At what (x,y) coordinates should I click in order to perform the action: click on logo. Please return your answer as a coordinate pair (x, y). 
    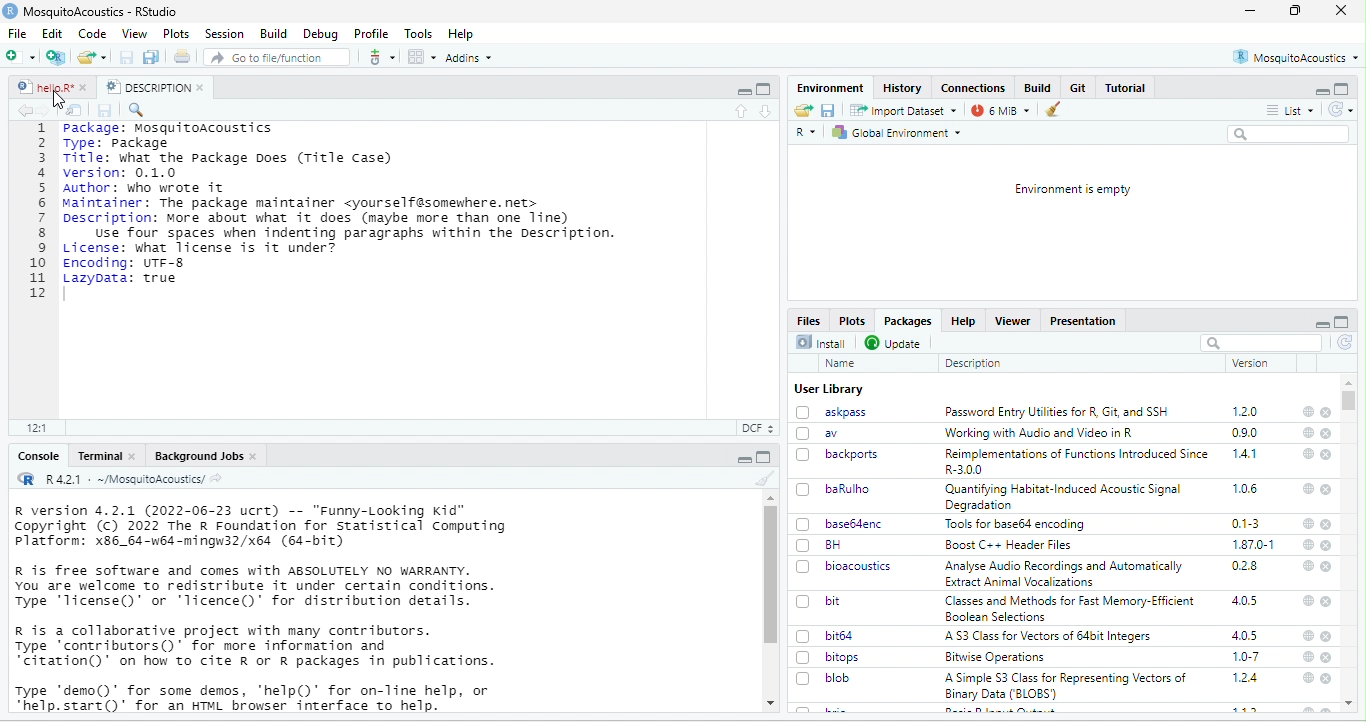
    Looking at the image, I should click on (10, 11).